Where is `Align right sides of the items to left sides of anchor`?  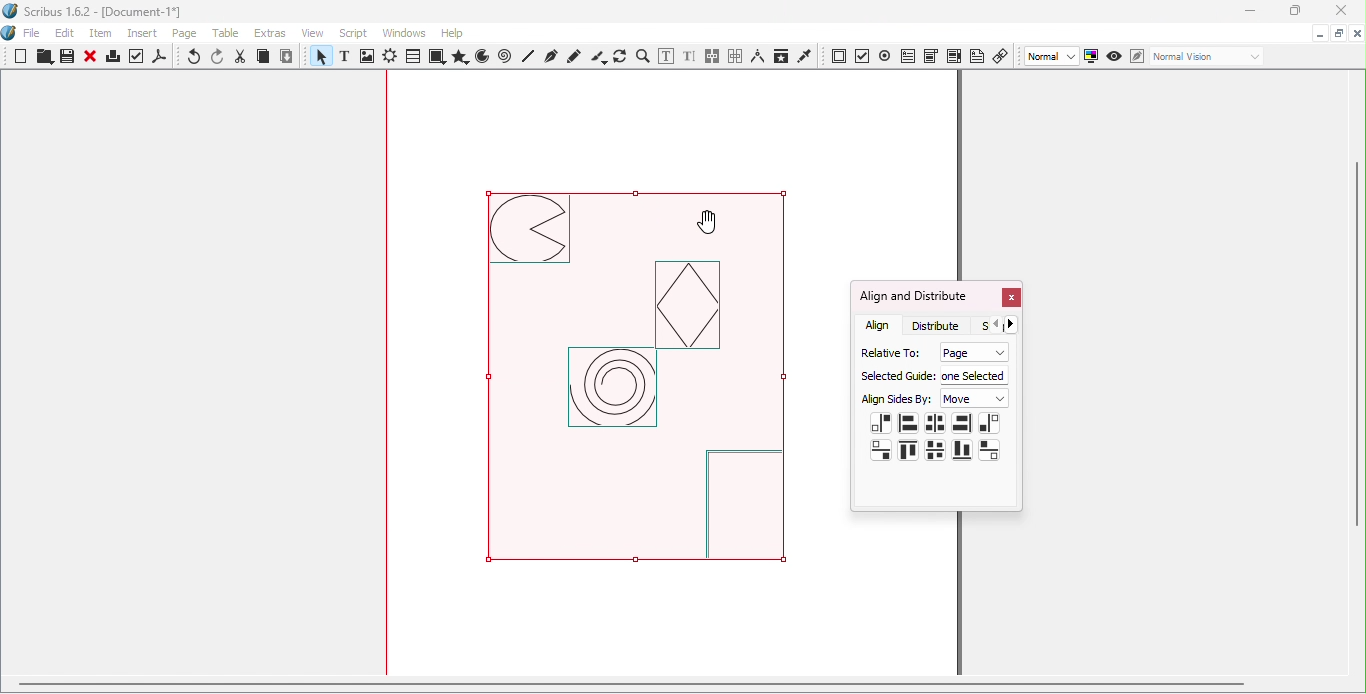
Align right sides of the items to left sides of anchor is located at coordinates (881, 424).